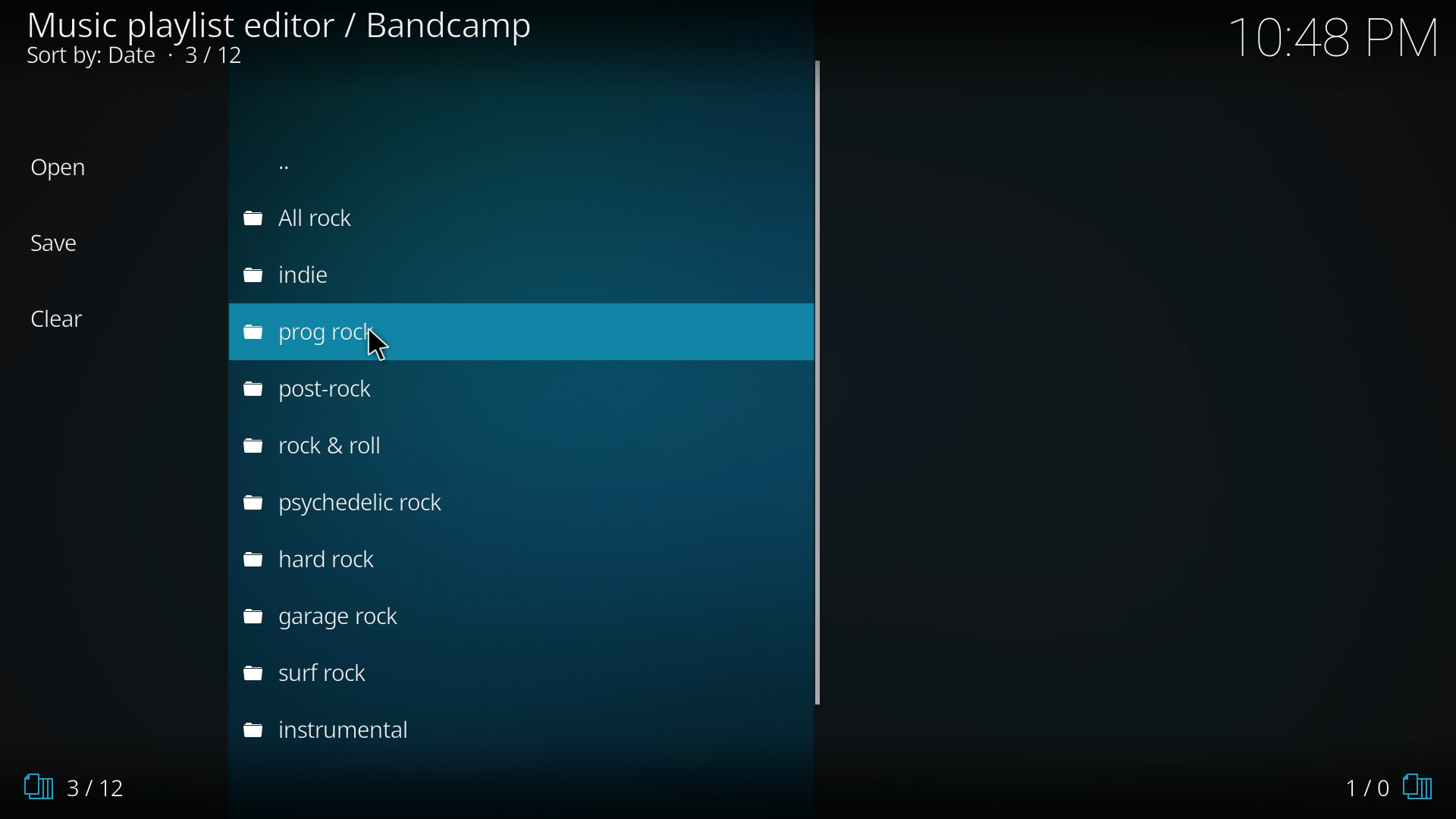 The image size is (1456, 819). I want to click on psychedelic rock, so click(353, 505).